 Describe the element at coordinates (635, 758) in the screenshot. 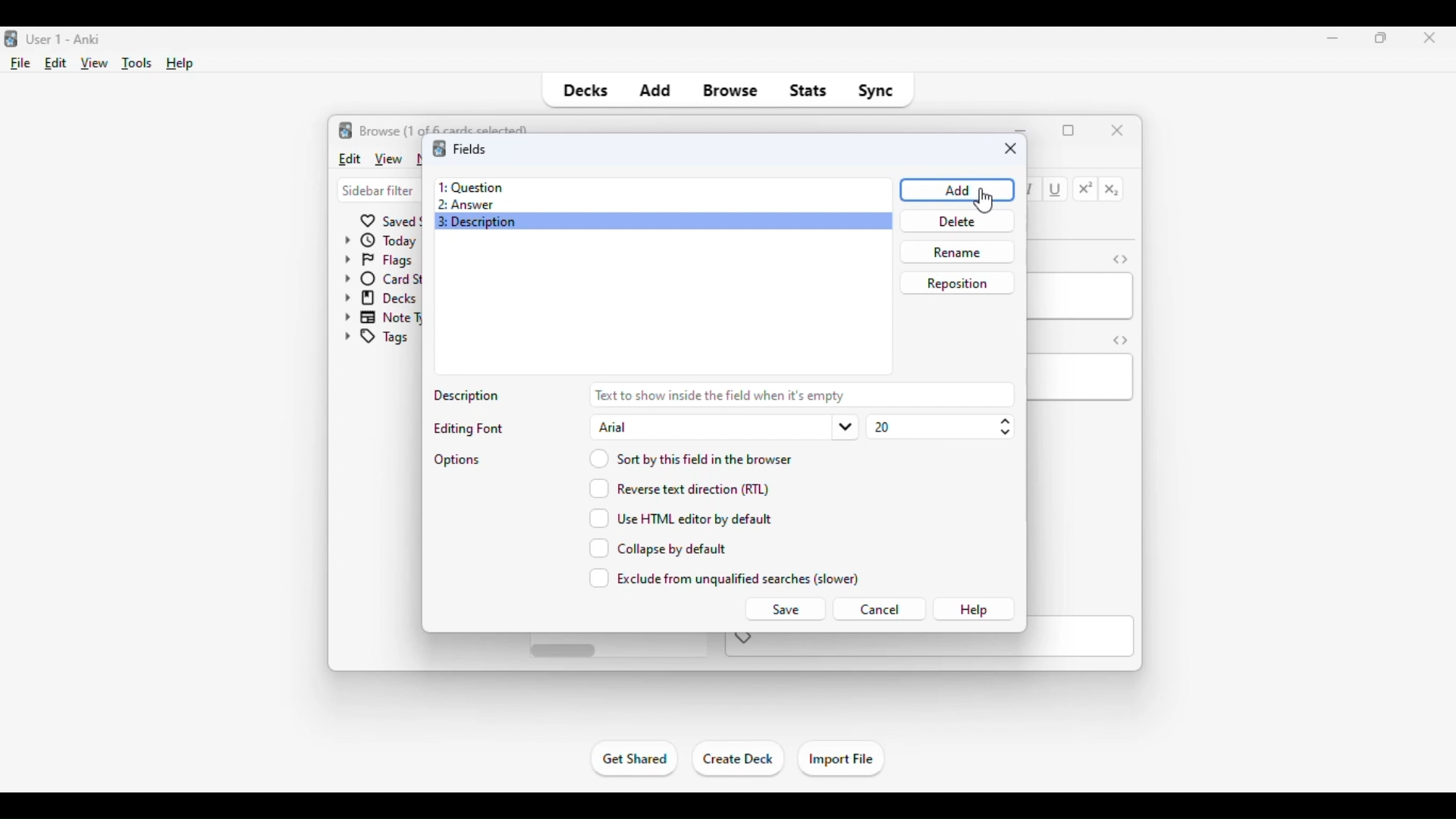

I see `get shared` at that location.